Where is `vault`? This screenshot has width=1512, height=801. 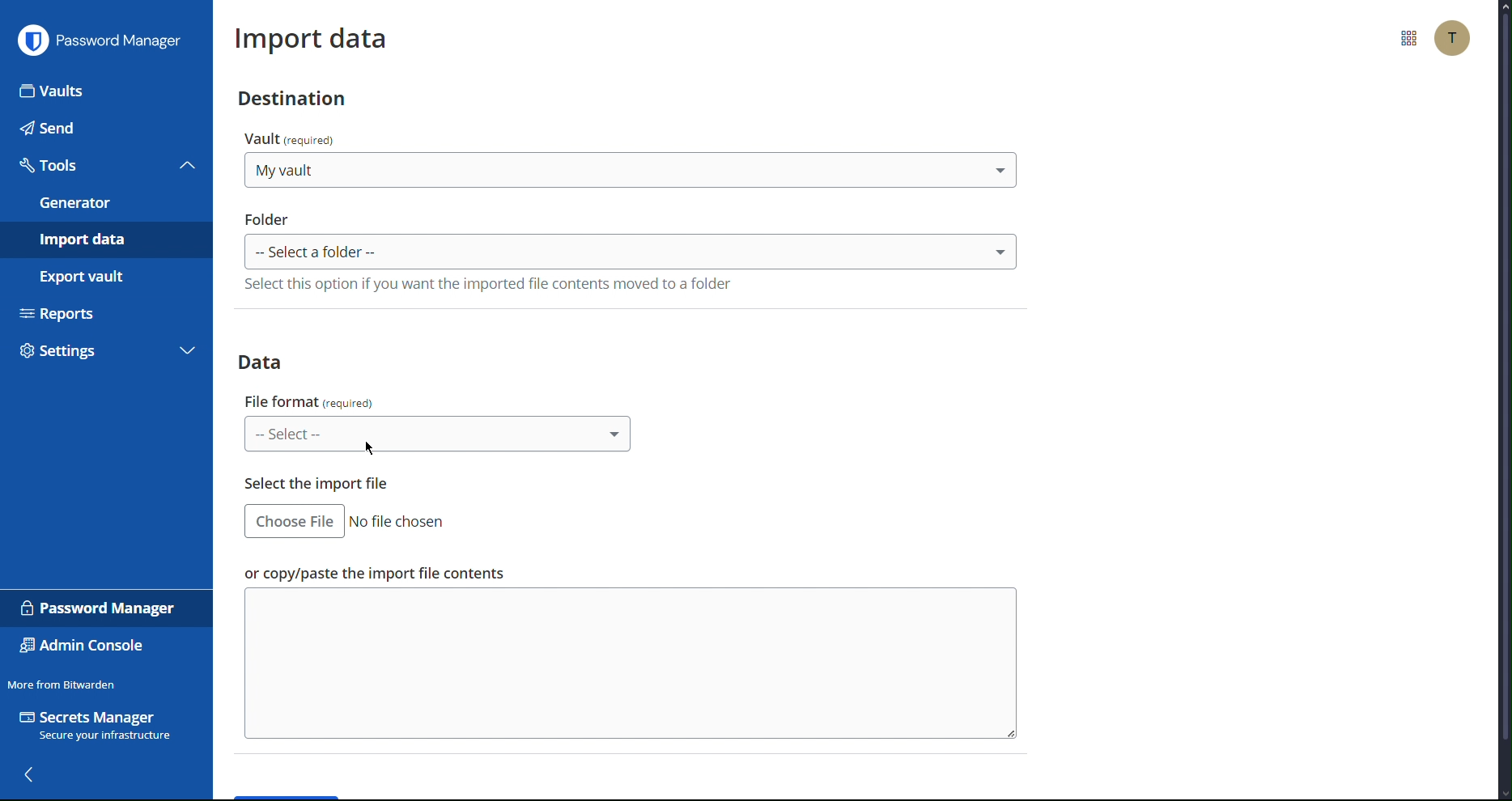
vault is located at coordinates (294, 138).